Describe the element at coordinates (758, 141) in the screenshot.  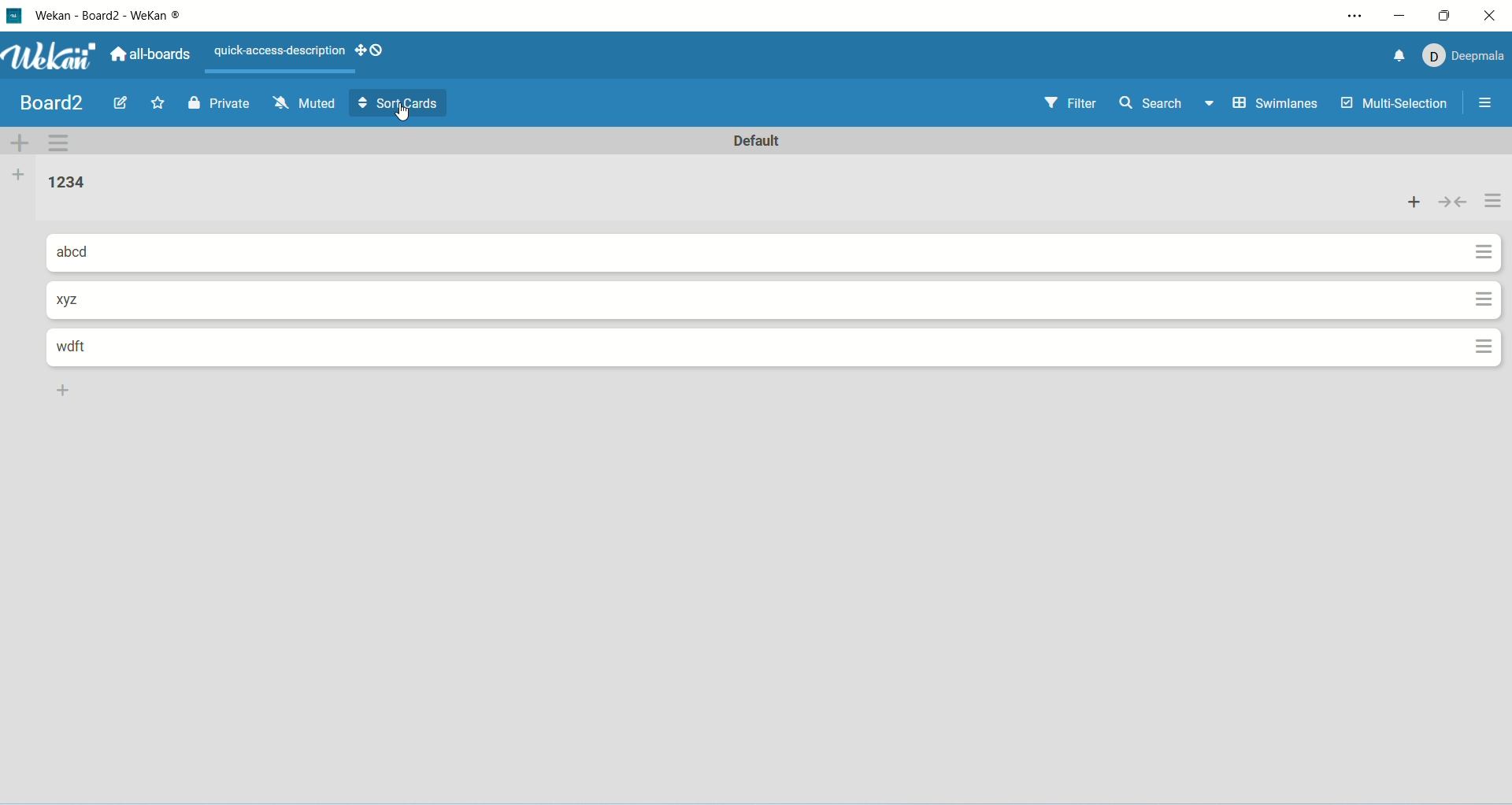
I see `default` at that location.